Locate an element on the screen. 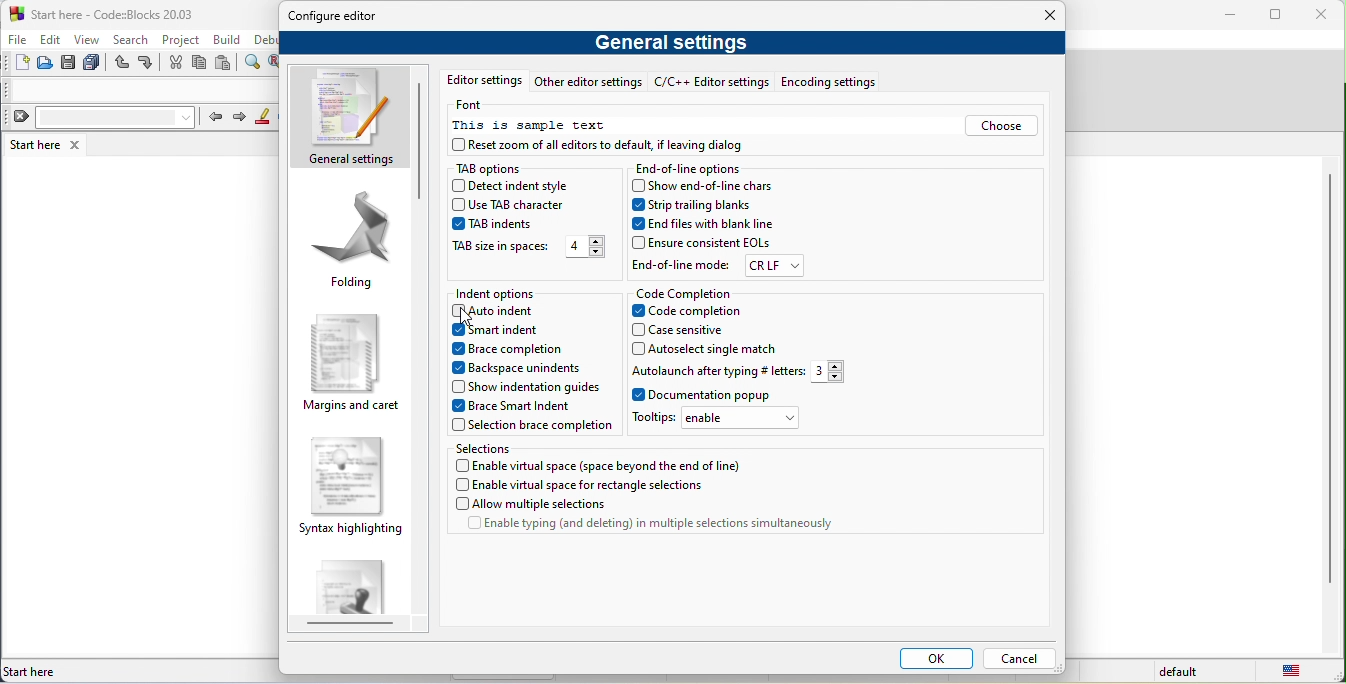 The height and width of the screenshot is (684, 1346). editor settings is located at coordinates (487, 81).